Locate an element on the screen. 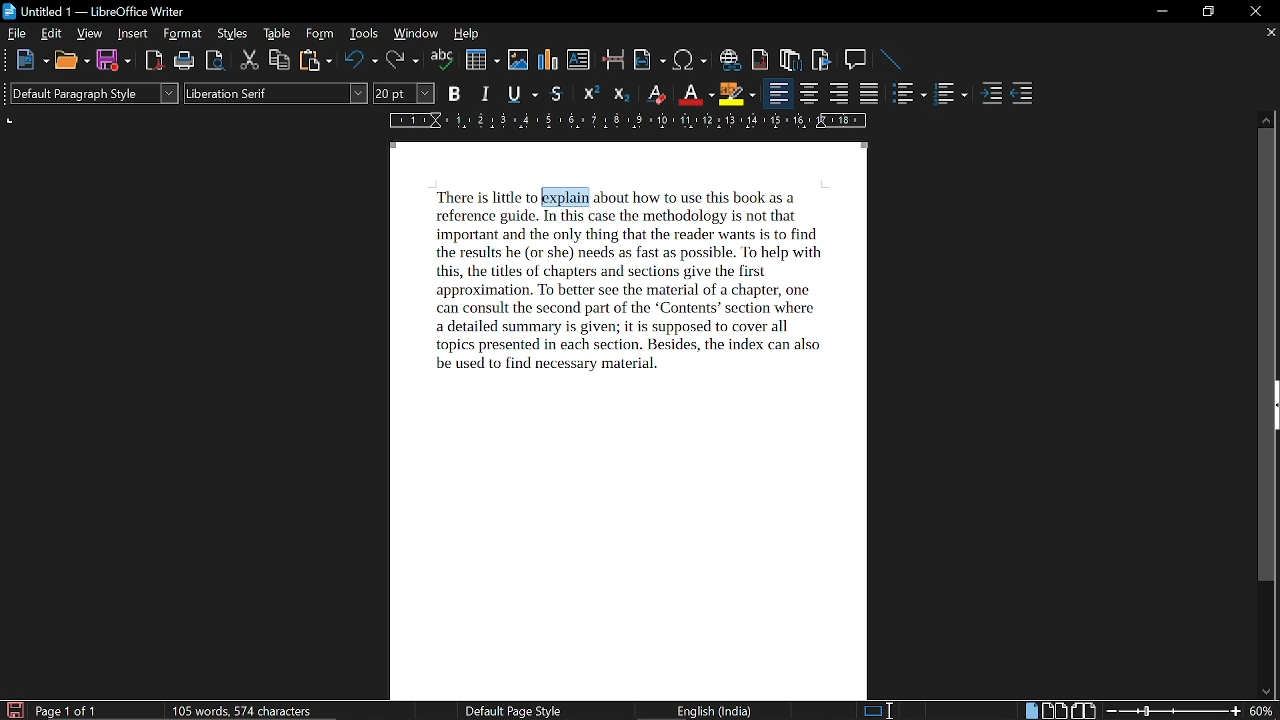 This screenshot has width=1280, height=720. change zoom is located at coordinates (1174, 710).